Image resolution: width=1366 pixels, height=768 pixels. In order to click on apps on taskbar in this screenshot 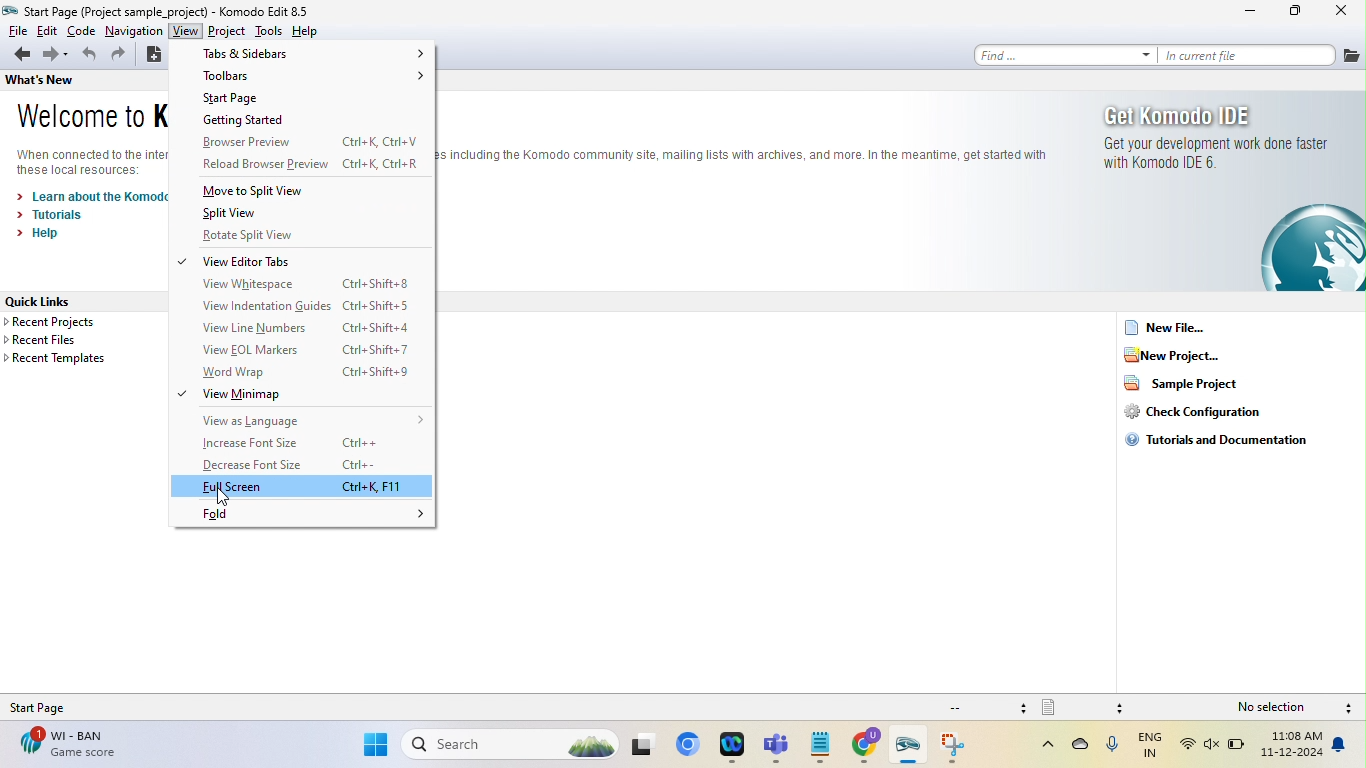, I will do `click(821, 746)`.